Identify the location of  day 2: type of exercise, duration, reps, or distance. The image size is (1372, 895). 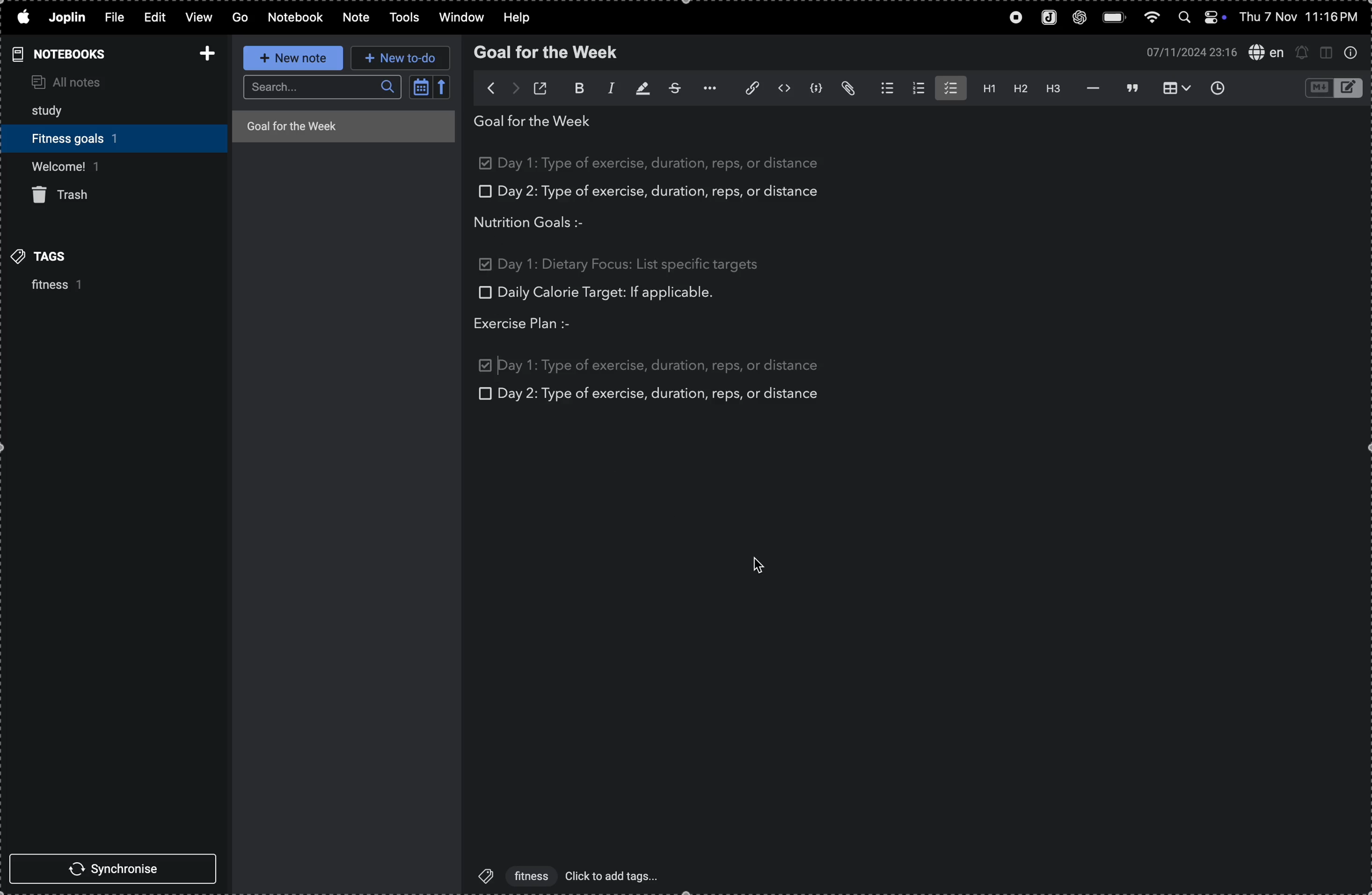
(661, 394).